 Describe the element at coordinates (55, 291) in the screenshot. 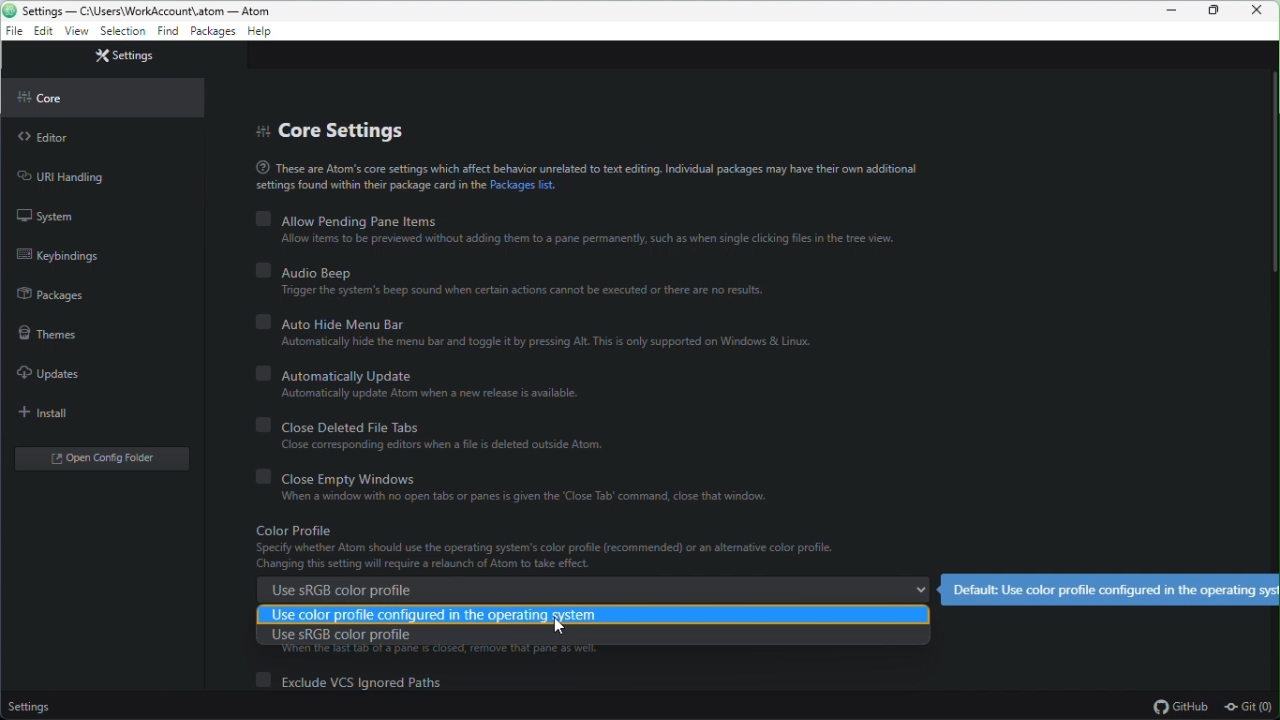

I see `Packages` at that location.